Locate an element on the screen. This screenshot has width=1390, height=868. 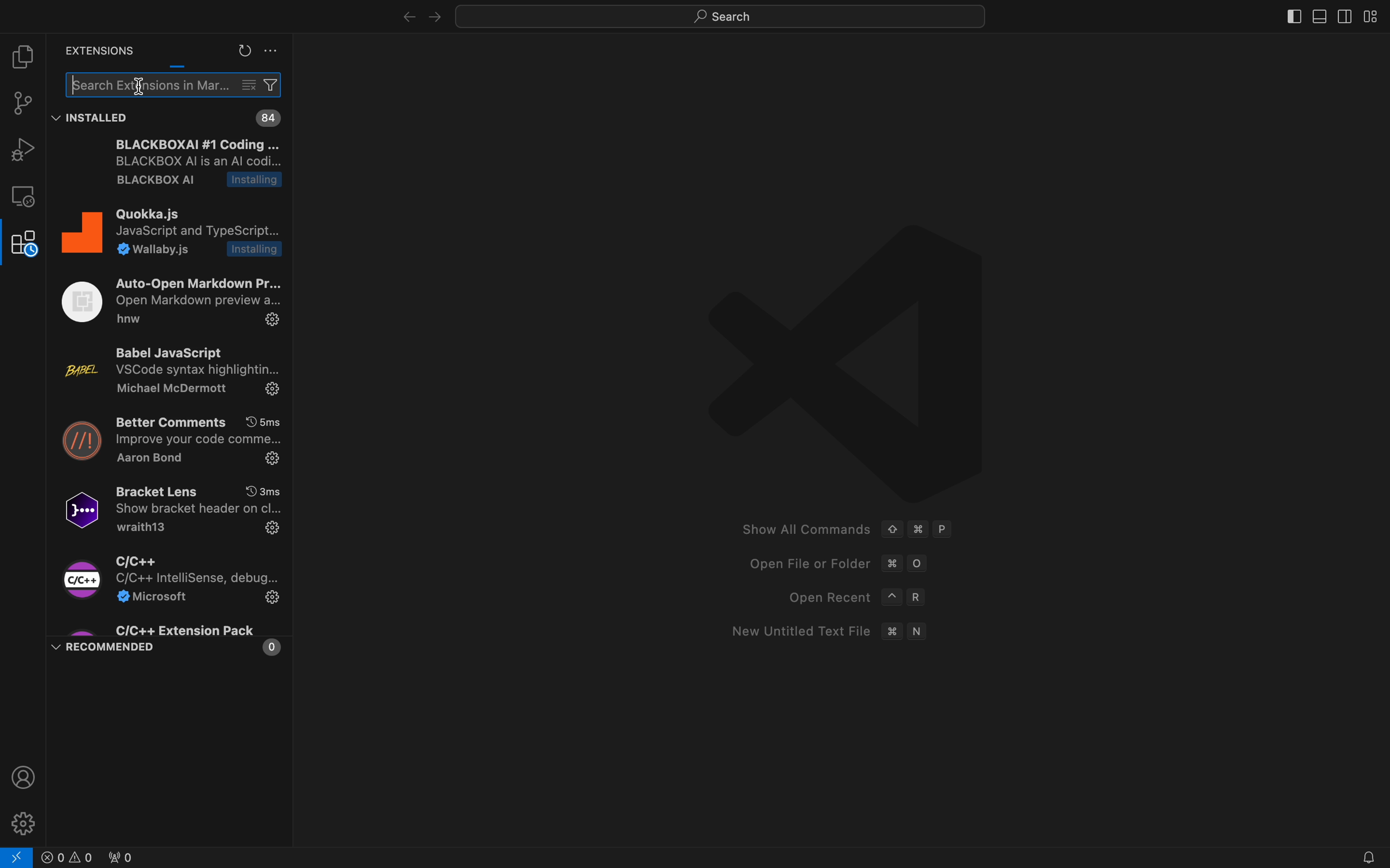
VSCode logo is located at coordinates (828, 361).